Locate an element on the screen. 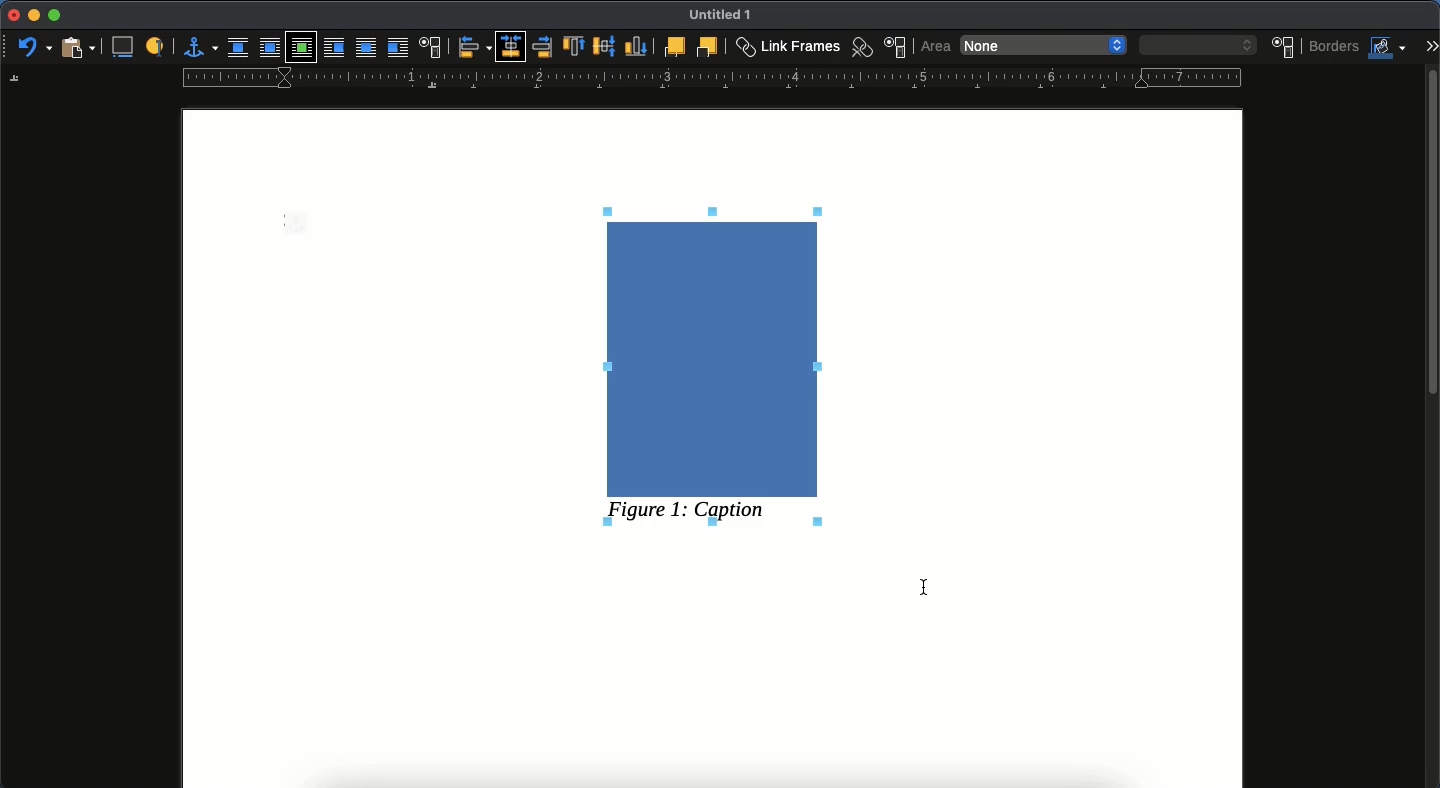 The height and width of the screenshot is (788, 1440). undo is located at coordinates (31, 47).